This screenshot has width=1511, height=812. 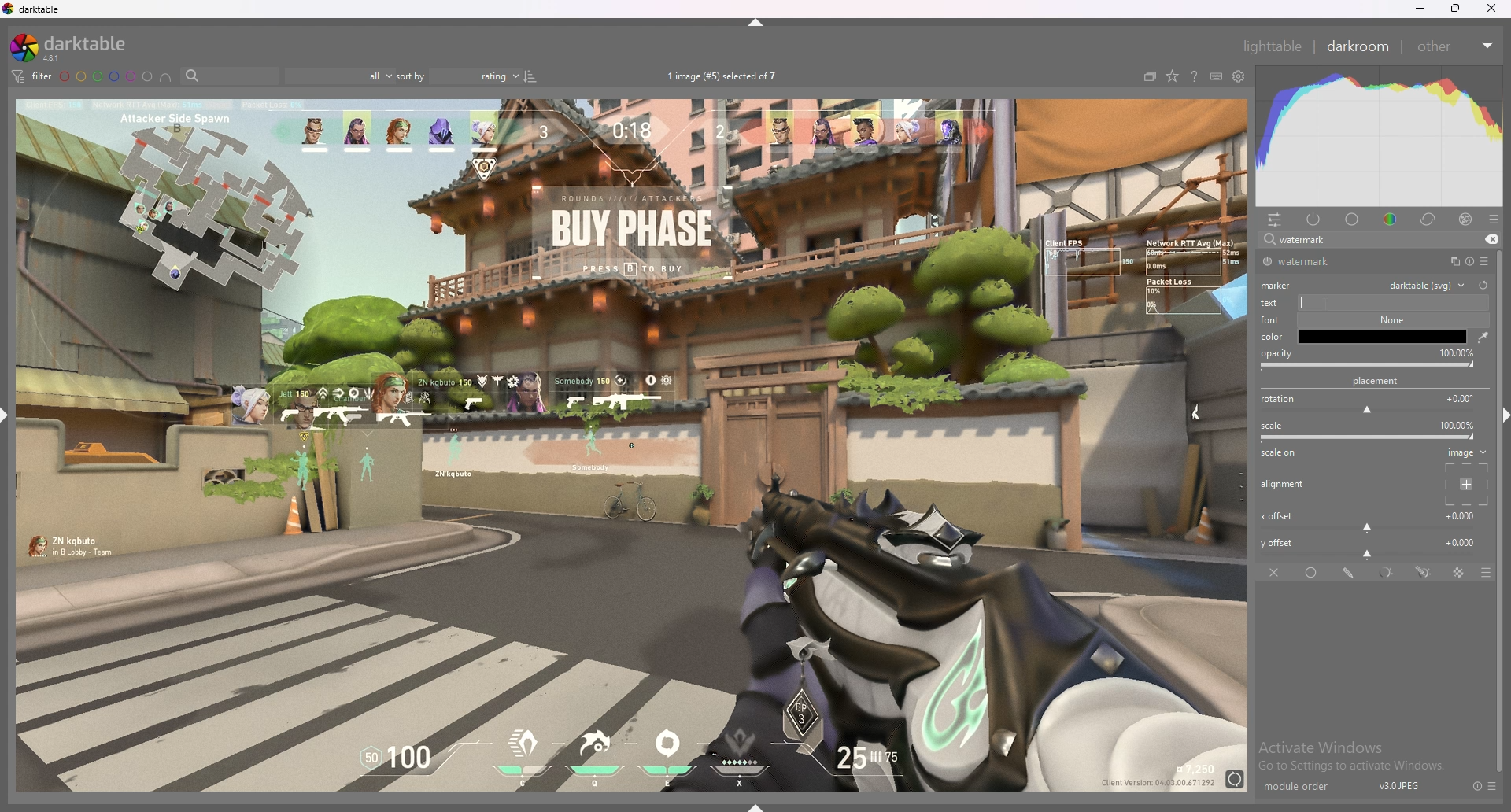 I want to click on y offset, so click(x=1370, y=546).